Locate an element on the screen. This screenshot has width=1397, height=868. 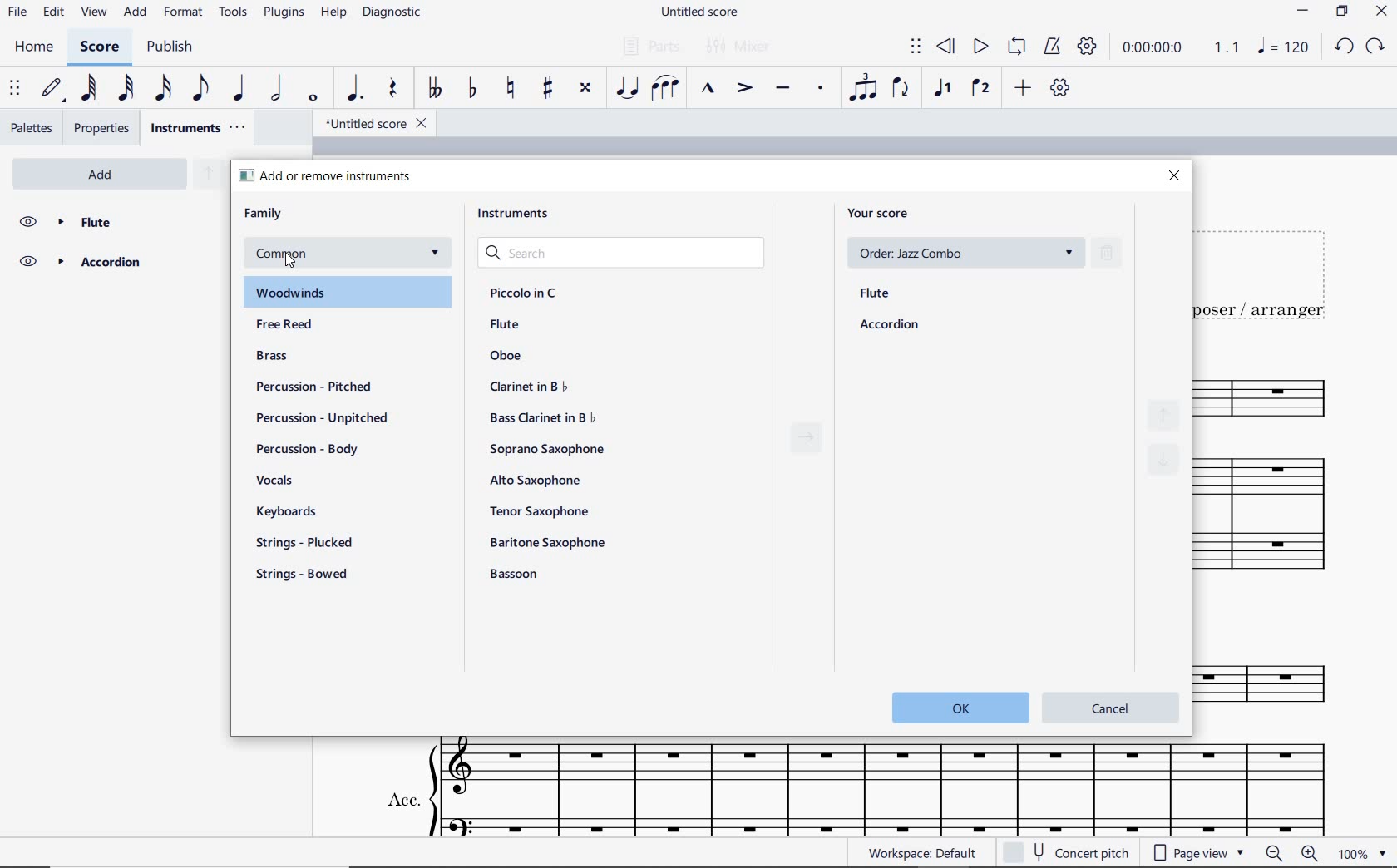
HOME is located at coordinates (34, 49).